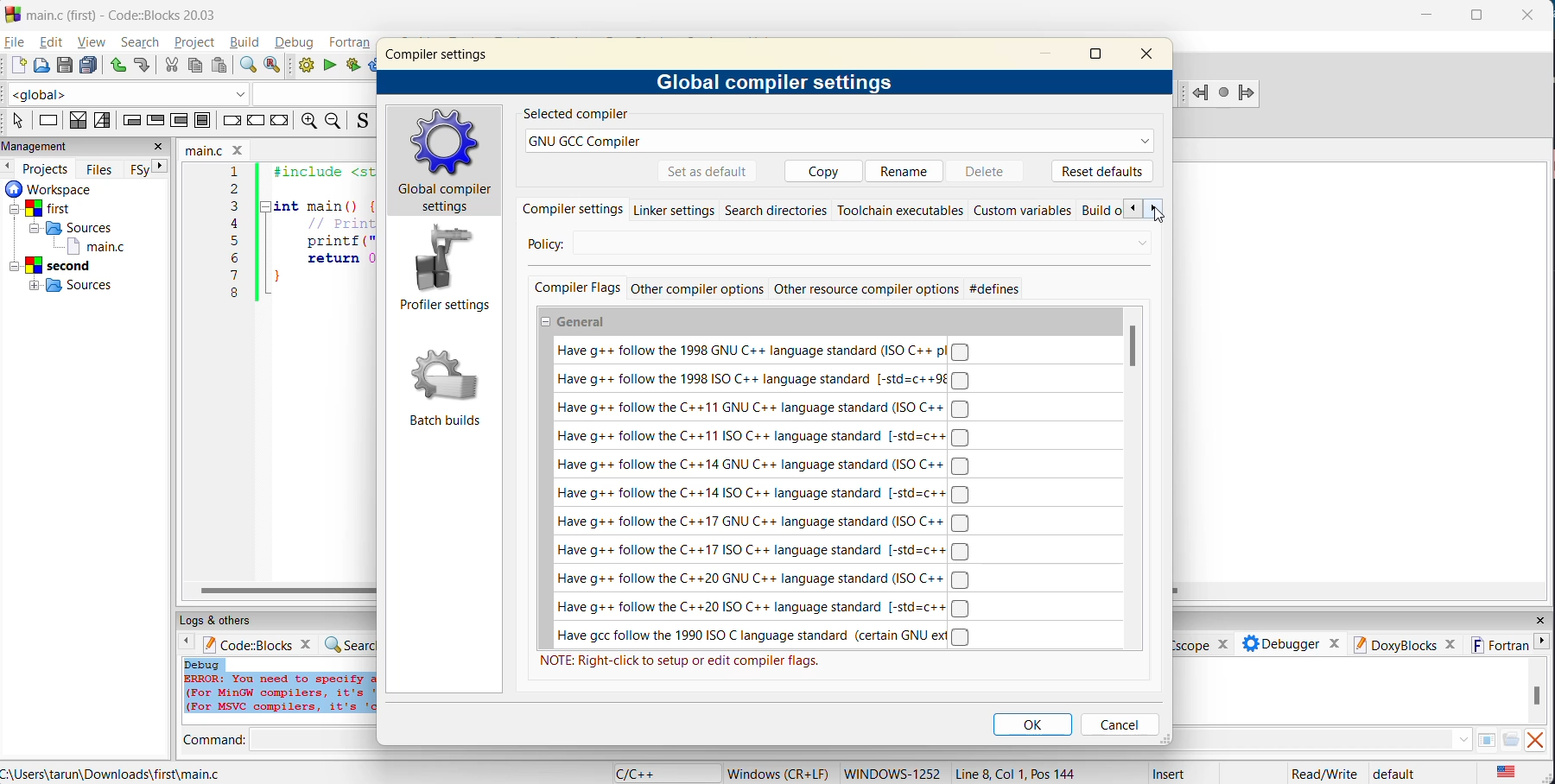  What do you see at coordinates (220, 66) in the screenshot?
I see `paste` at bounding box center [220, 66].